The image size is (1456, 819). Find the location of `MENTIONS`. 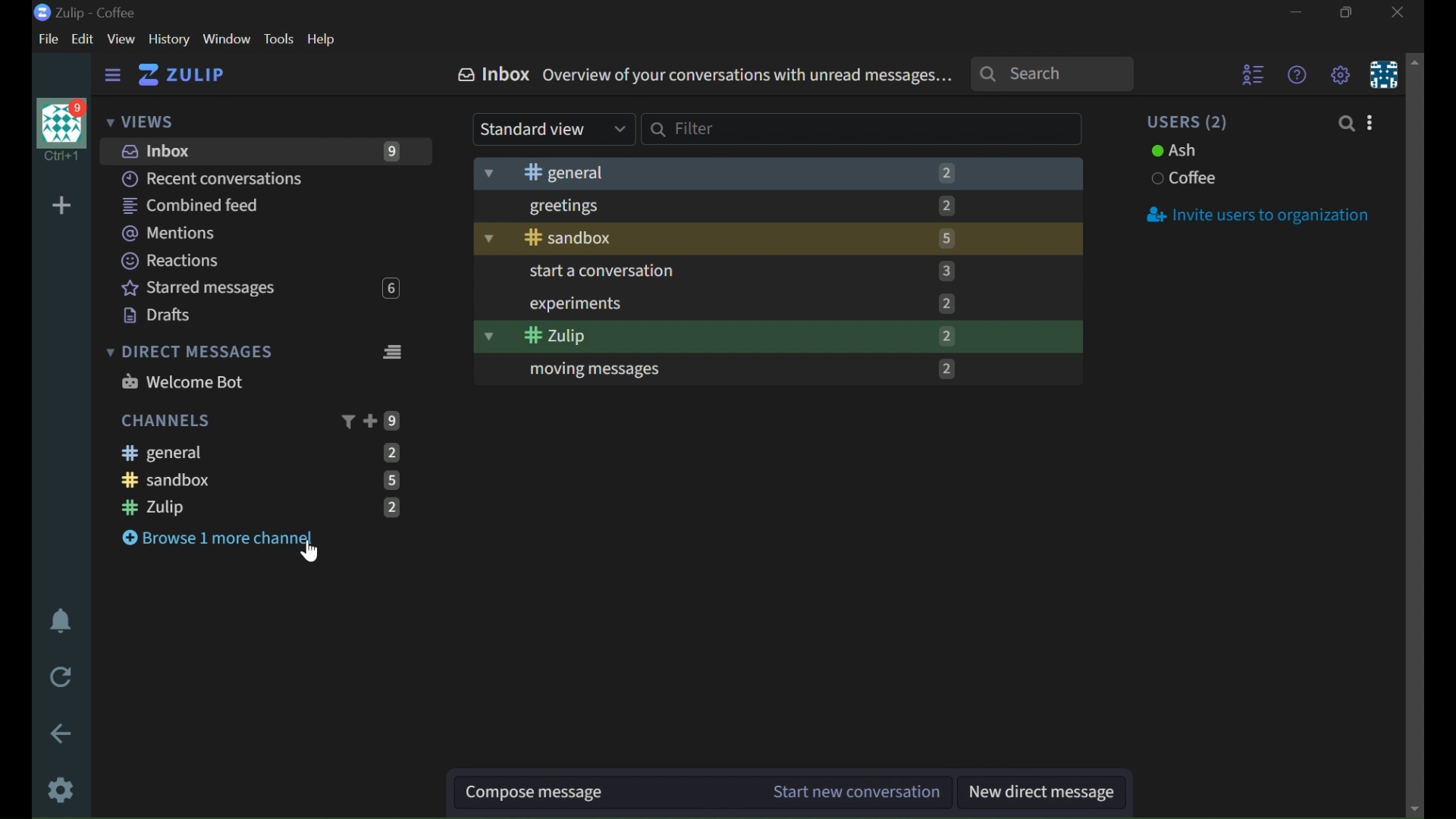

MENTIONS is located at coordinates (237, 233).